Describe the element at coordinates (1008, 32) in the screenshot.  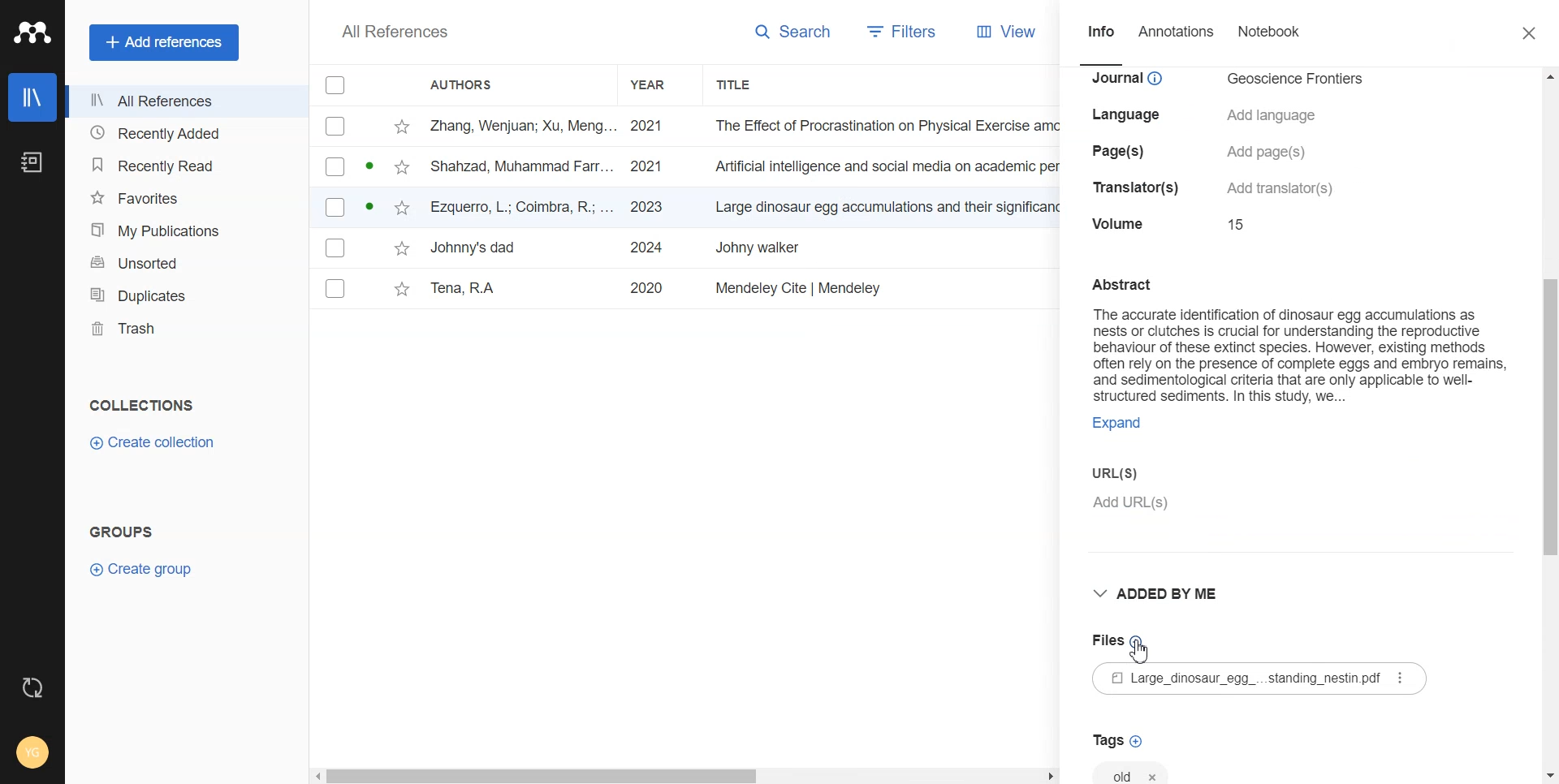
I see `View` at that location.